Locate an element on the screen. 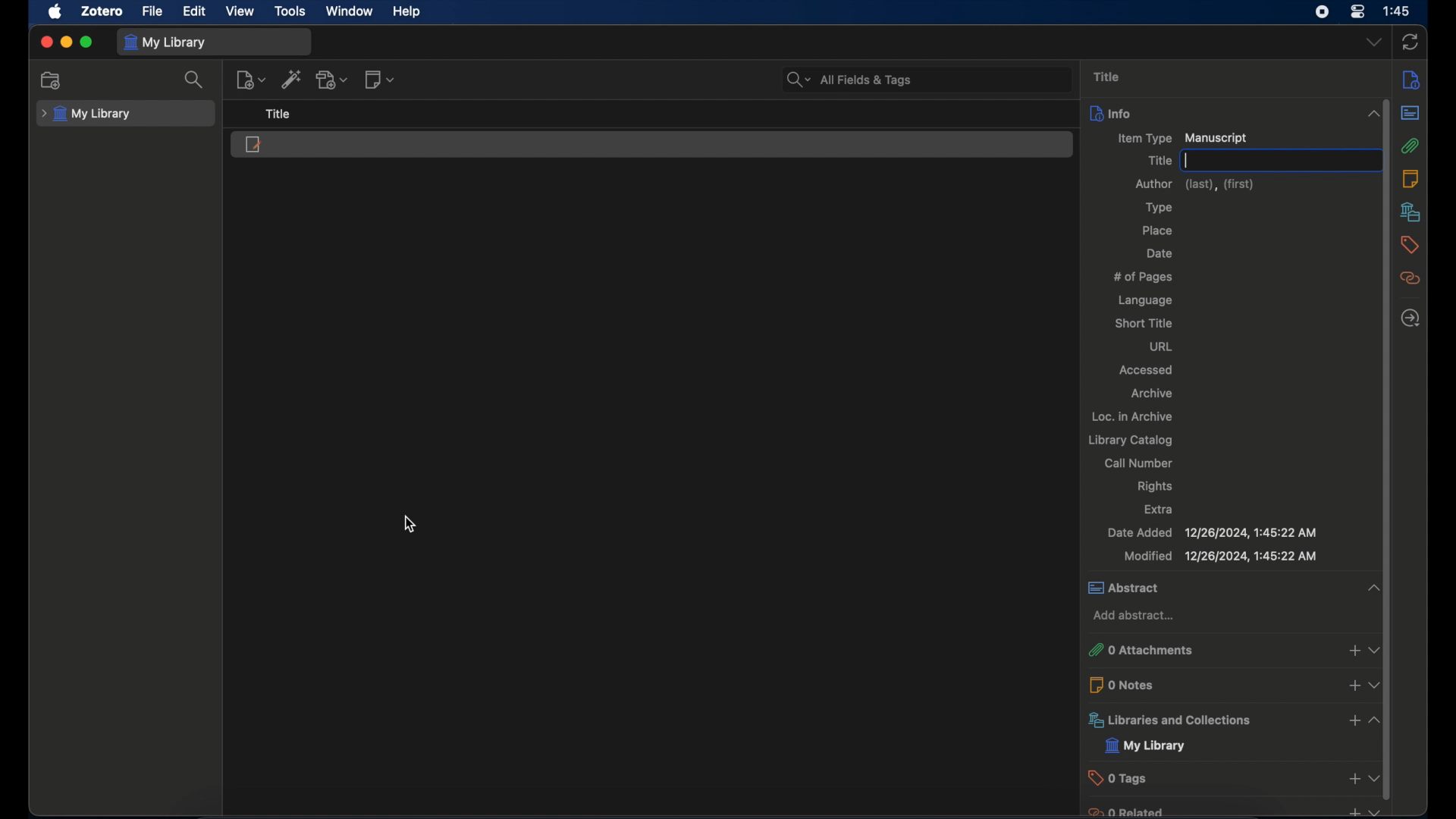 The height and width of the screenshot is (819, 1456). window is located at coordinates (349, 11).